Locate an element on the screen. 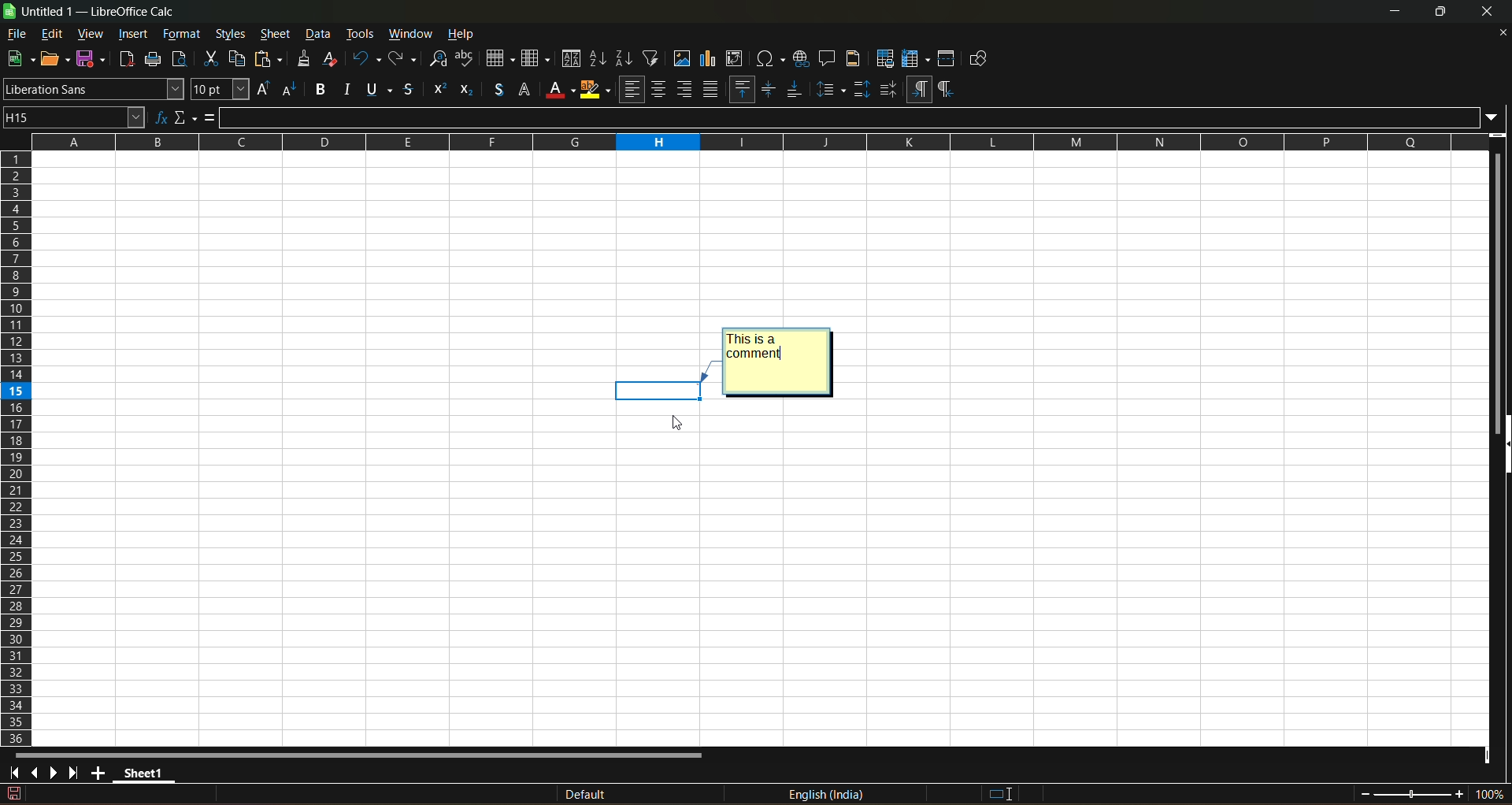 The image size is (1512, 805). sort descending is located at coordinates (625, 60).